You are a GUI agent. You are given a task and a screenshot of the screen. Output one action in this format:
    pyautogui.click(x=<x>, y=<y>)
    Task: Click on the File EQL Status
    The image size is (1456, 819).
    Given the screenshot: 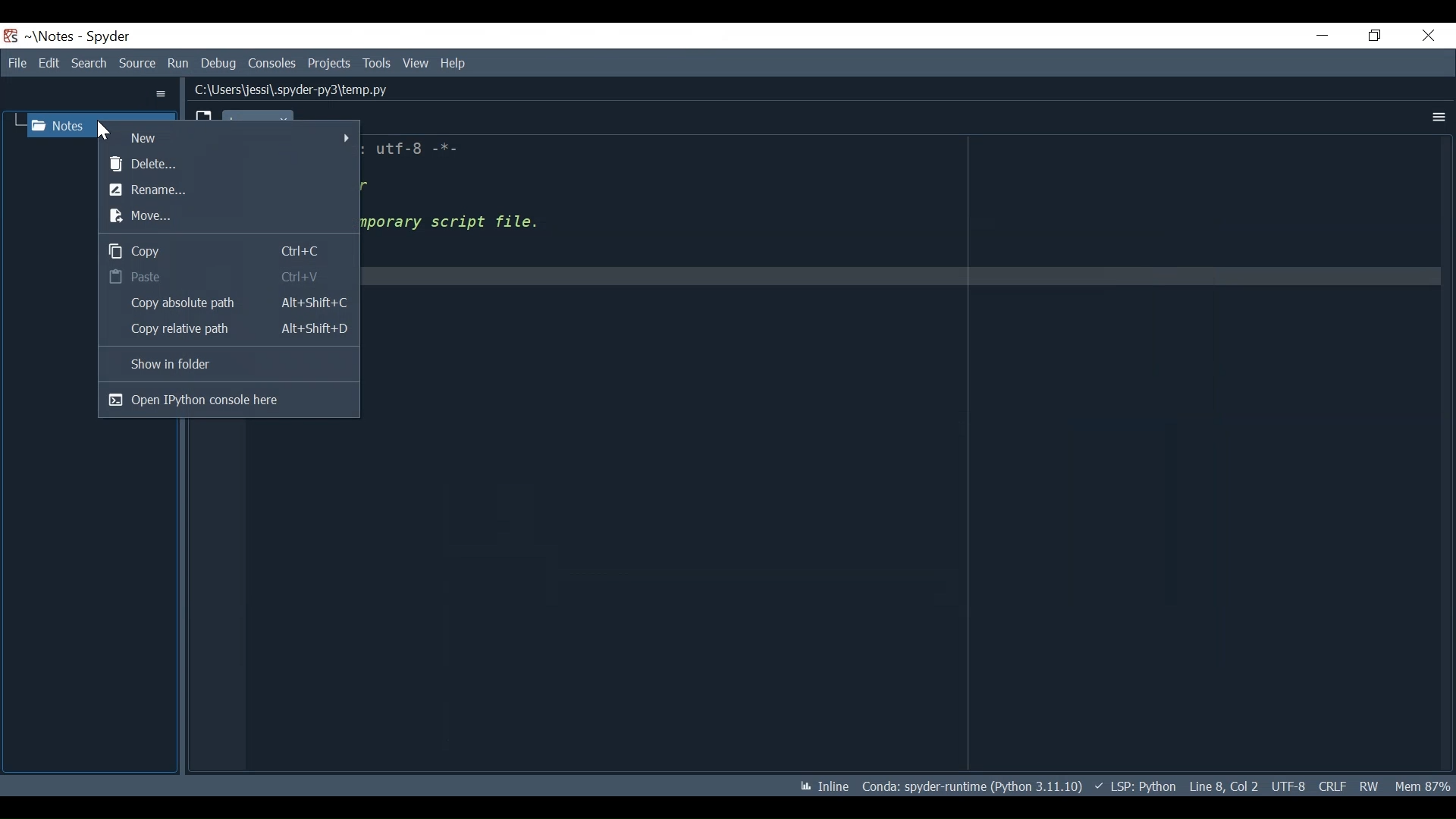 What is the action you would take?
    pyautogui.click(x=1332, y=786)
    